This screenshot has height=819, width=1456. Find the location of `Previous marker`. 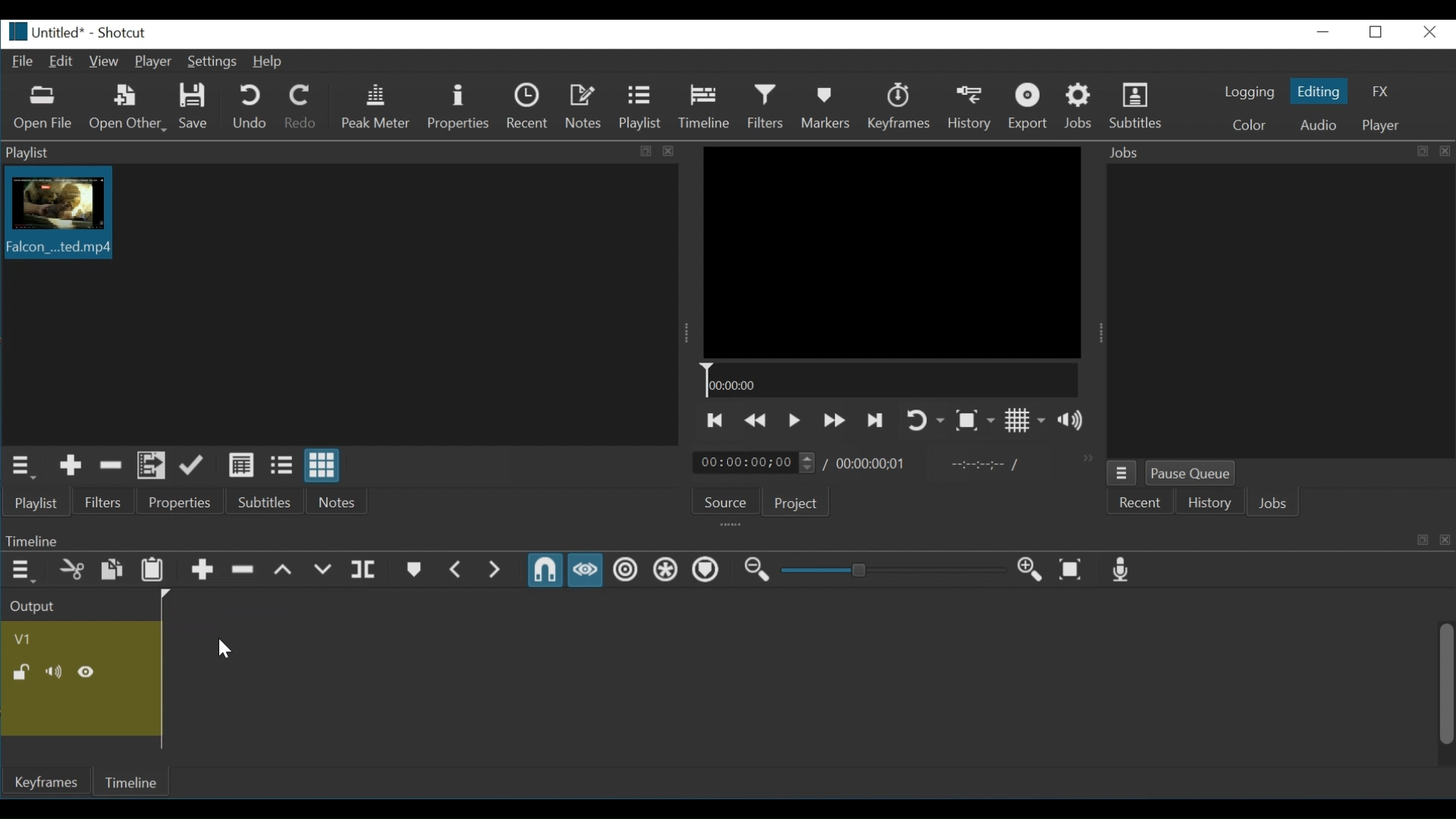

Previous marker is located at coordinates (458, 570).